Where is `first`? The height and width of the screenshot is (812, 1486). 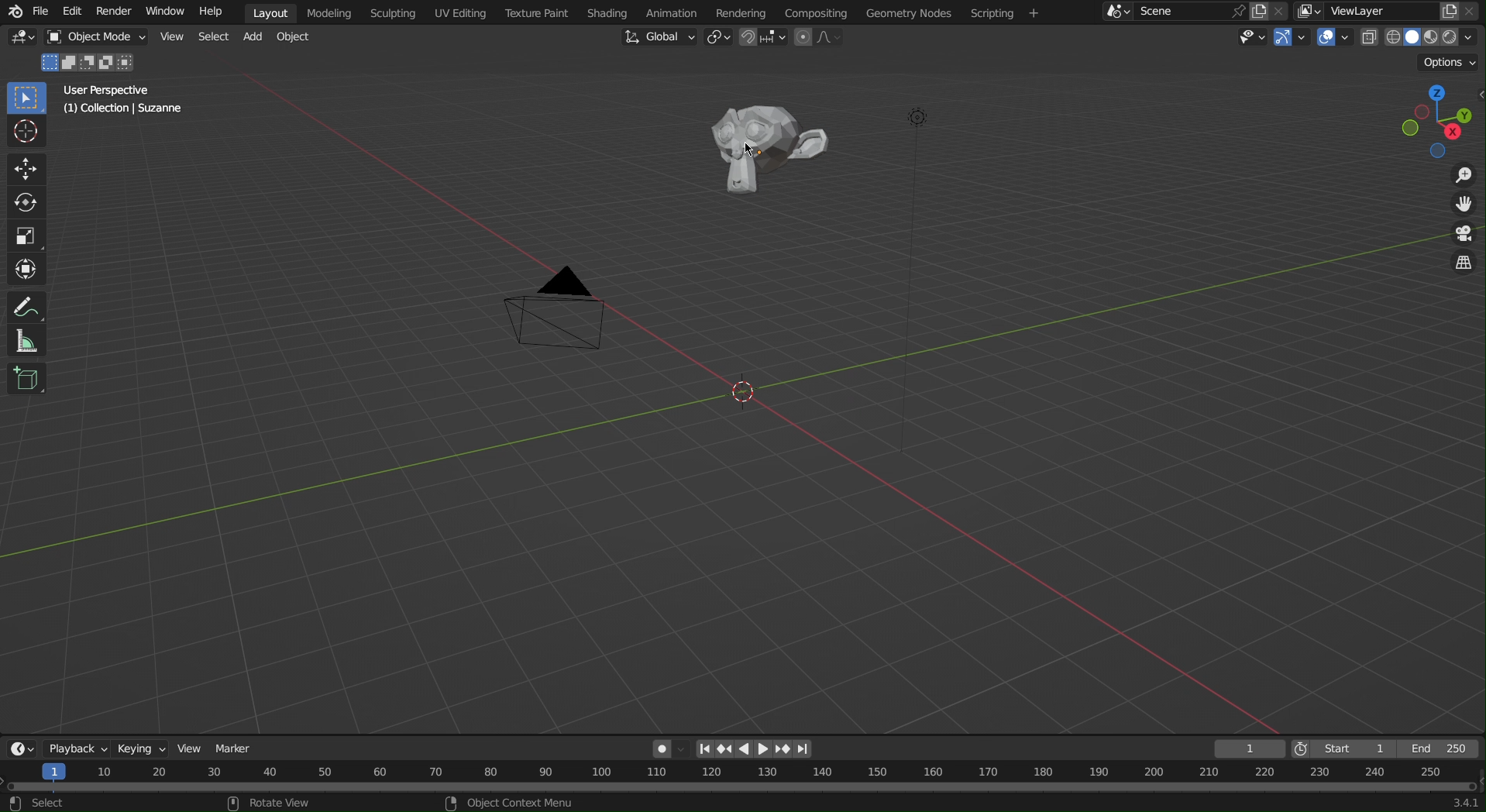
first is located at coordinates (710, 748).